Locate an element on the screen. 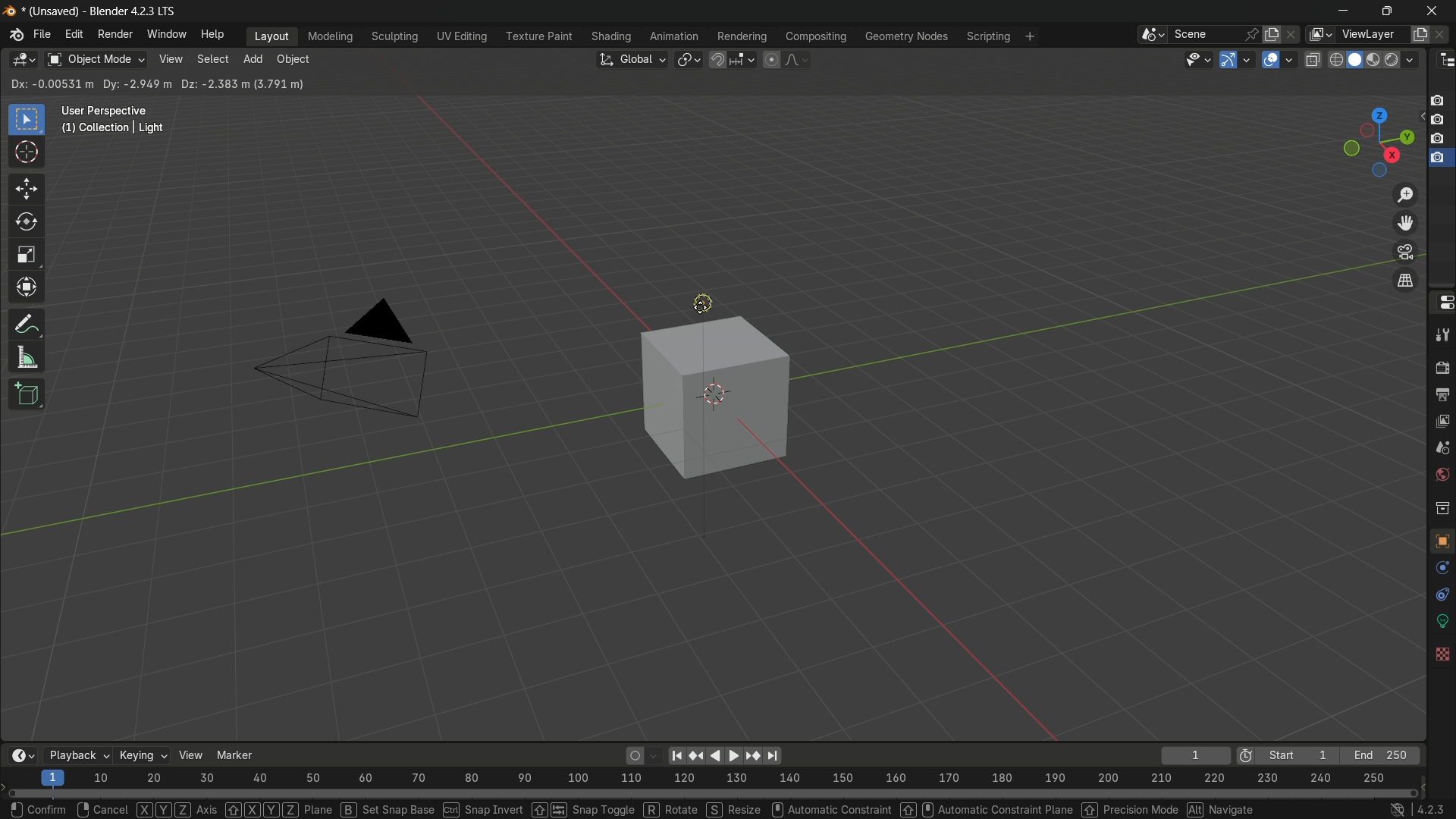  selectability and visibility is located at coordinates (1198, 58).